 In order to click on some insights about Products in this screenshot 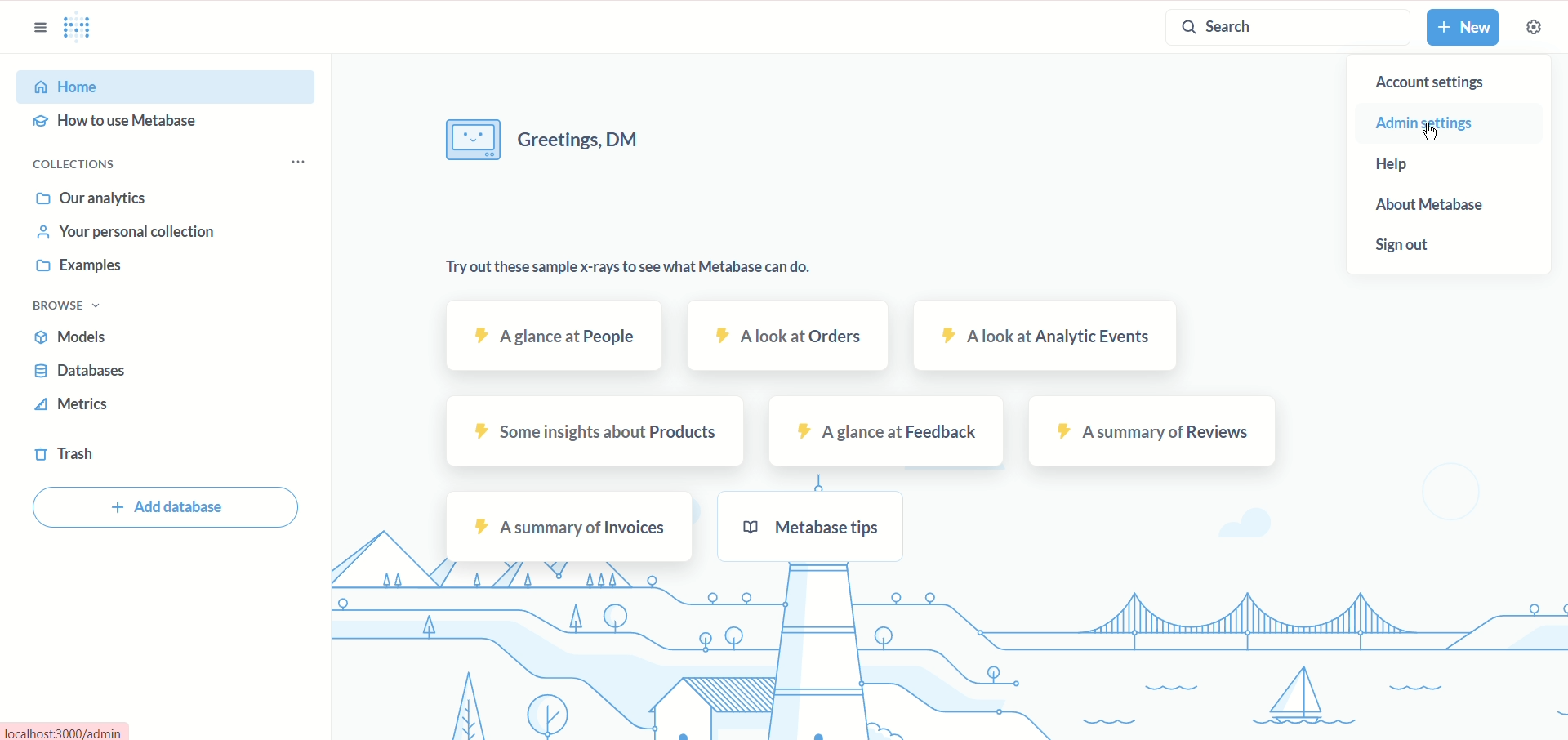, I will do `click(586, 431)`.